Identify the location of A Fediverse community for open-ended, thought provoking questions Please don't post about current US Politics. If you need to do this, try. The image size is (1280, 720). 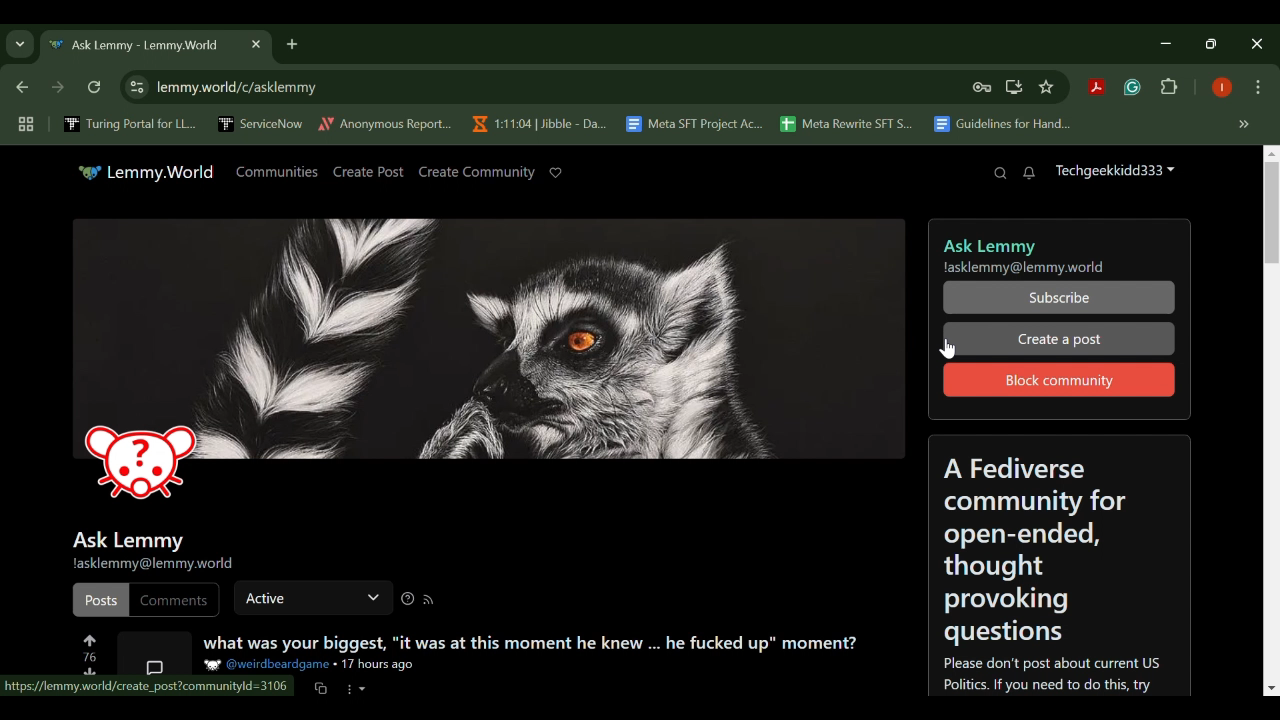
(1062, 568).